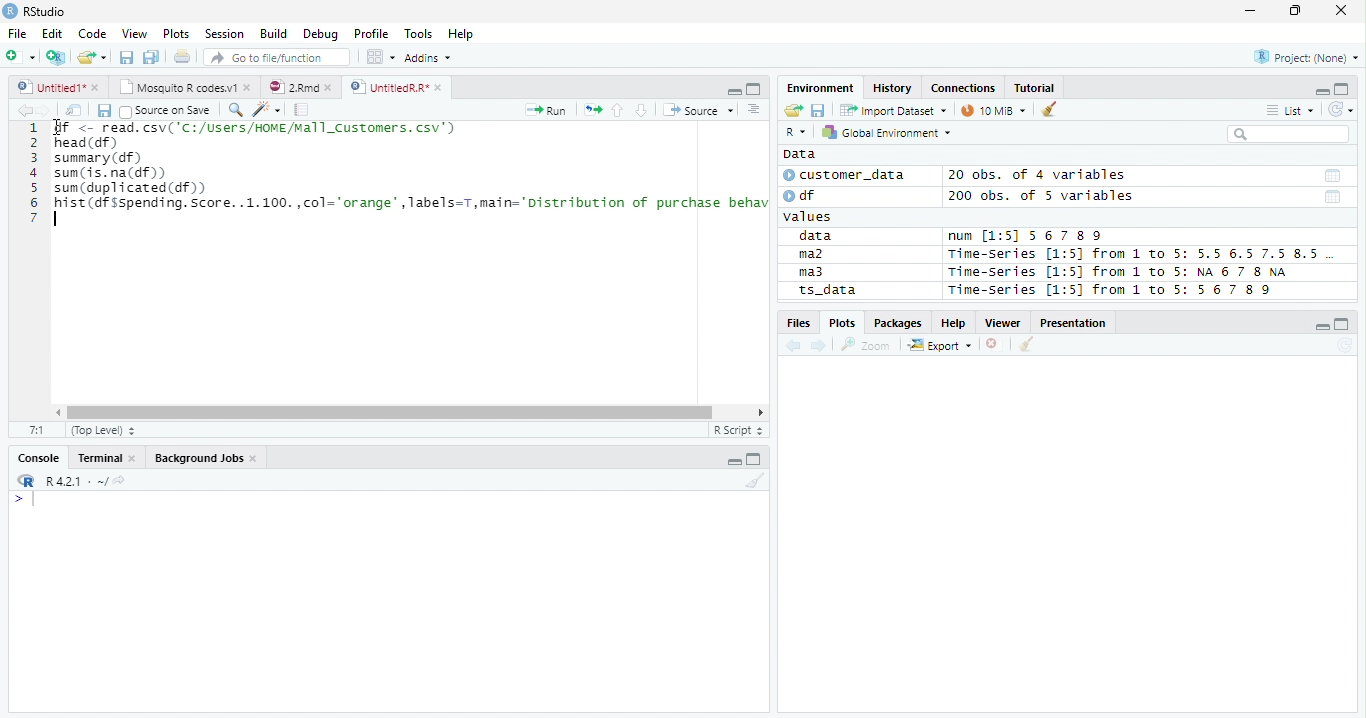 This screenshot has width=1366, height=718. What do you see at coordinates (398, 88) in the screenshot?
I see `UnititledR.R` at bounding box center [398, 88].